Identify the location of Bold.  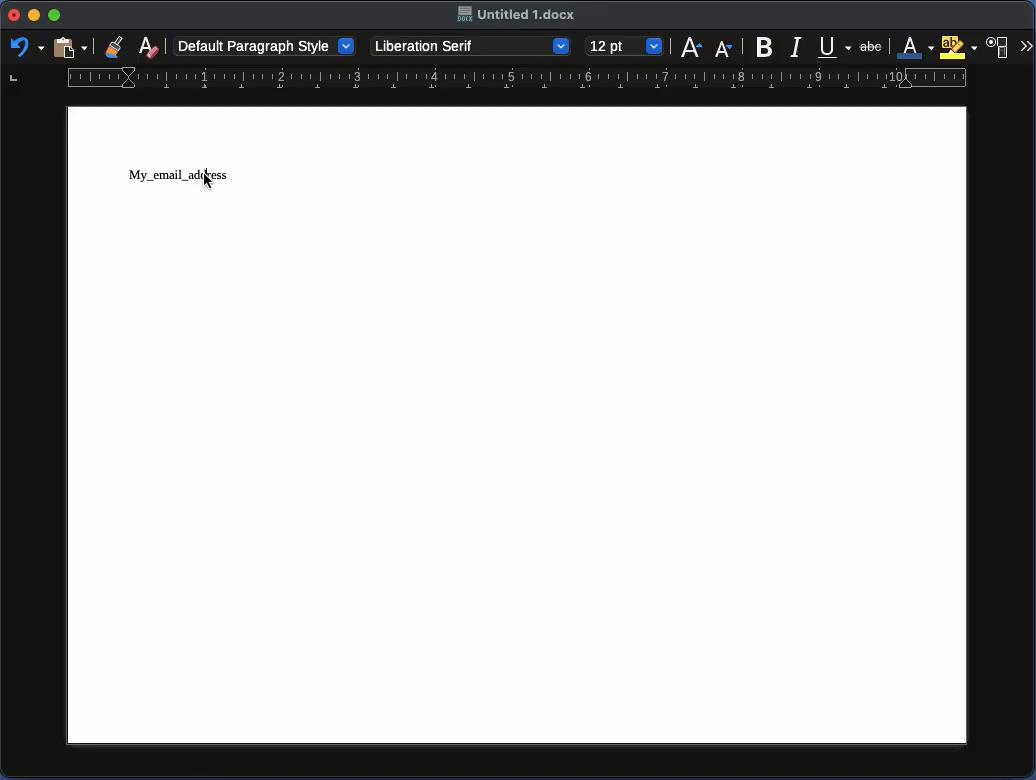
(765, 47).